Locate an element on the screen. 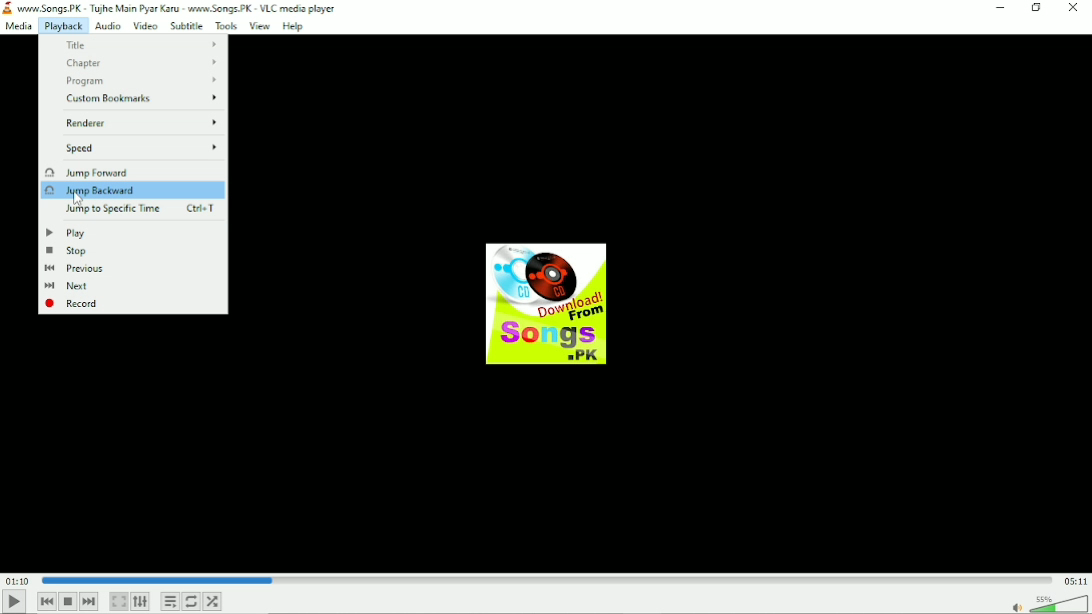  Jump forward is located at coordinates (86, 171).